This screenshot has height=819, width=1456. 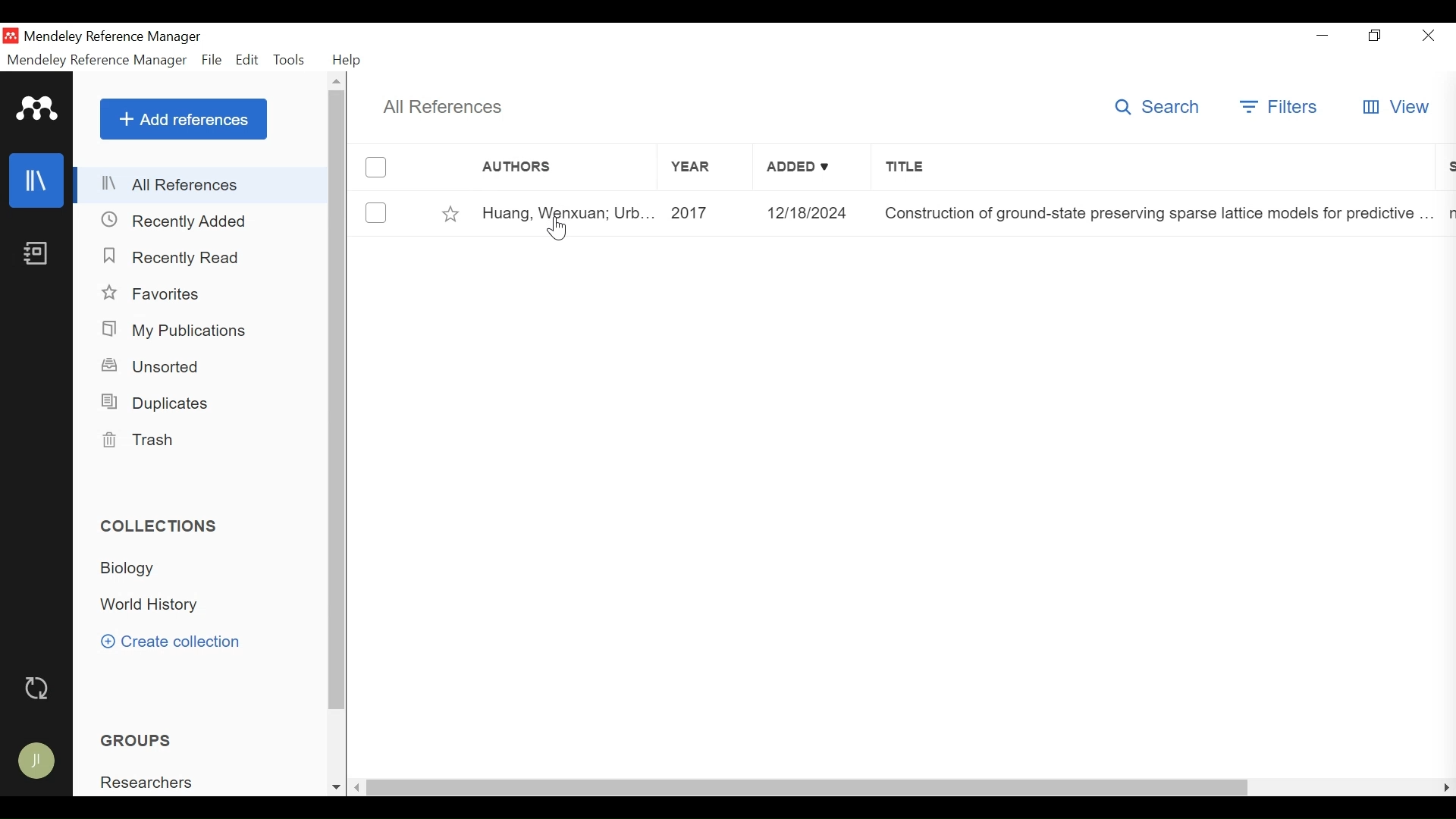 What do you see at coordinates (1157, 106) in the screenshot?
I see `Search` at bounding box center [1157, 106].